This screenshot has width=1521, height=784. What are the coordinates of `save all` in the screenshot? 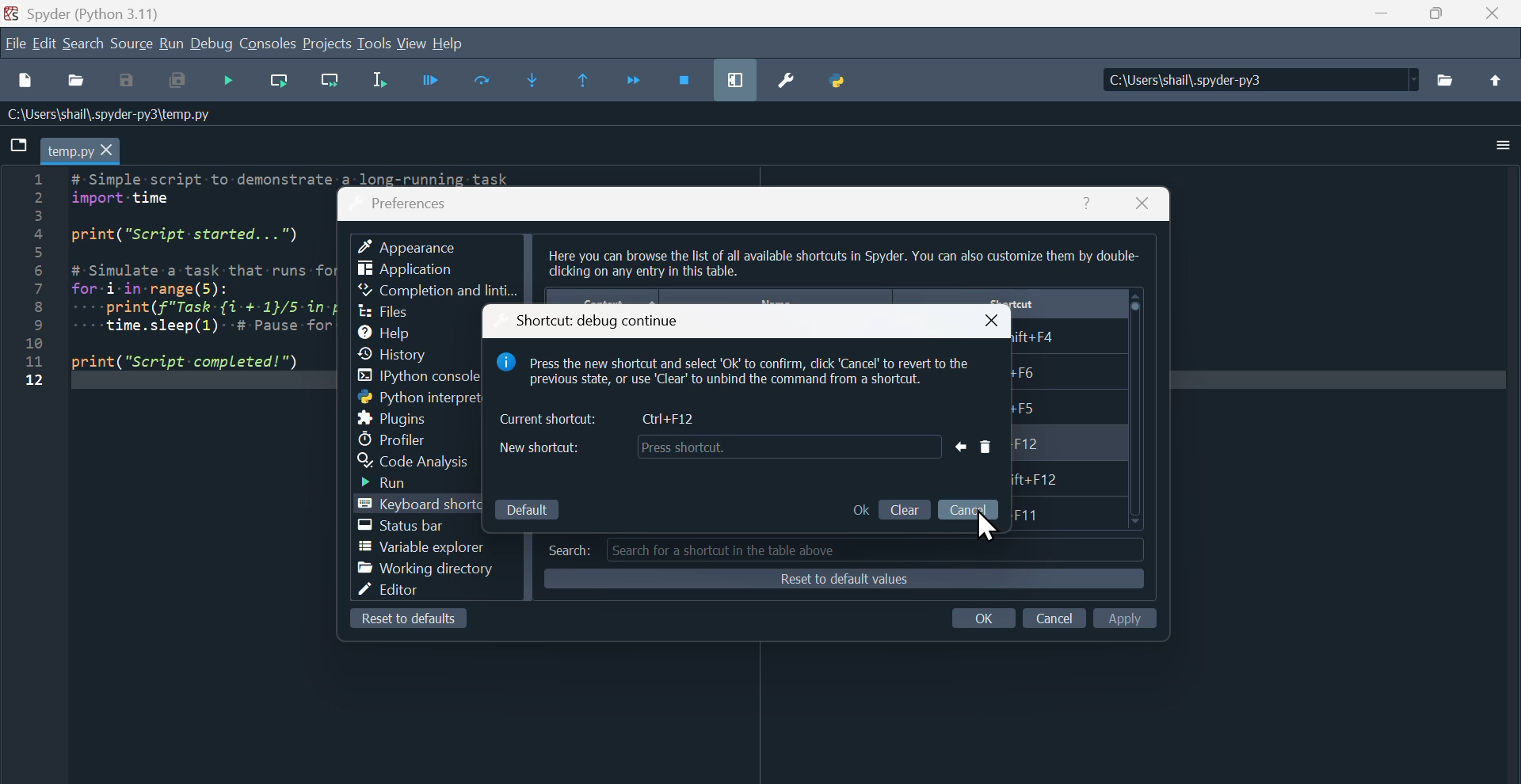 It's located at (177, 82).